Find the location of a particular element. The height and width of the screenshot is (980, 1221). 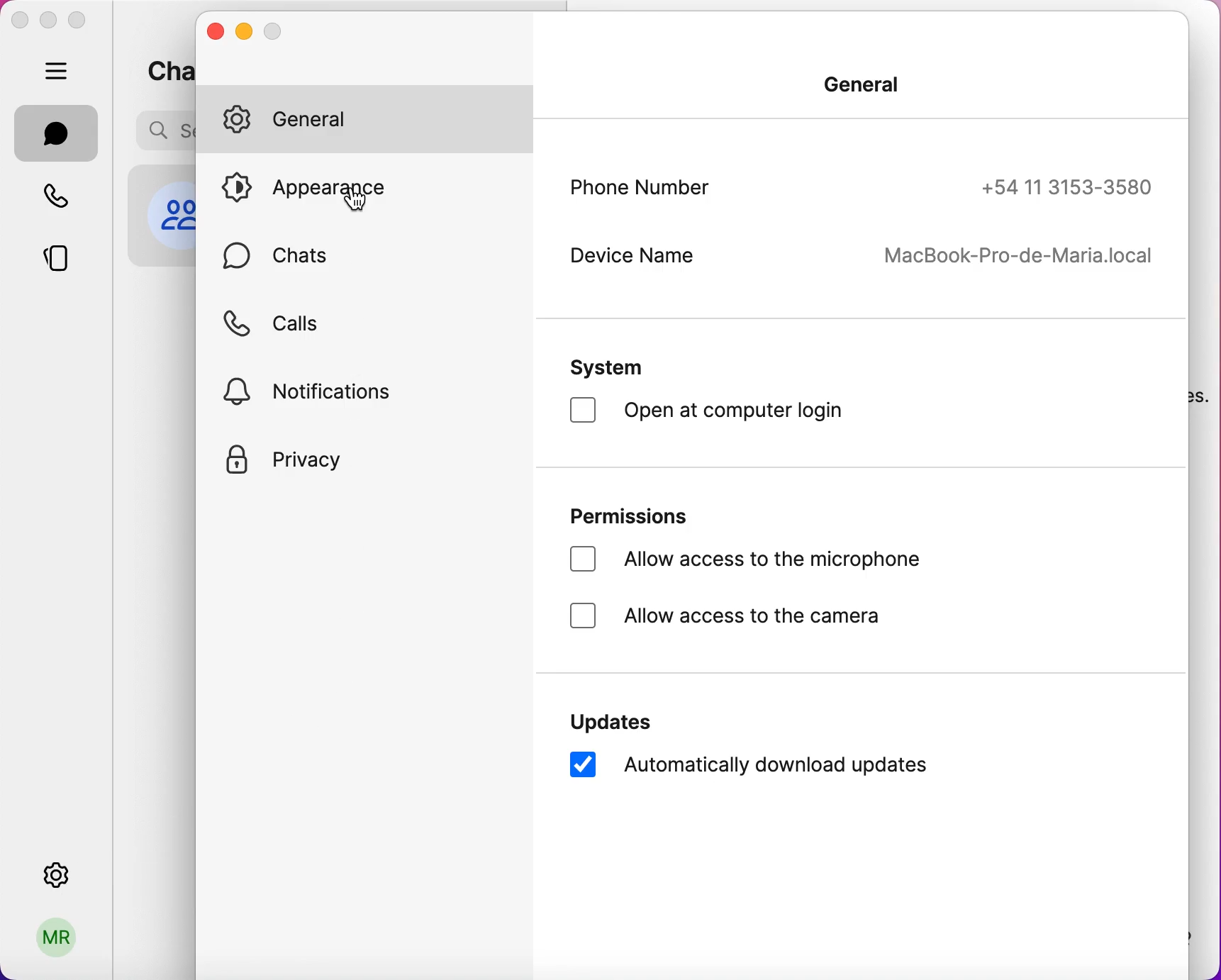

phone number is located at coordinates (875, 186).